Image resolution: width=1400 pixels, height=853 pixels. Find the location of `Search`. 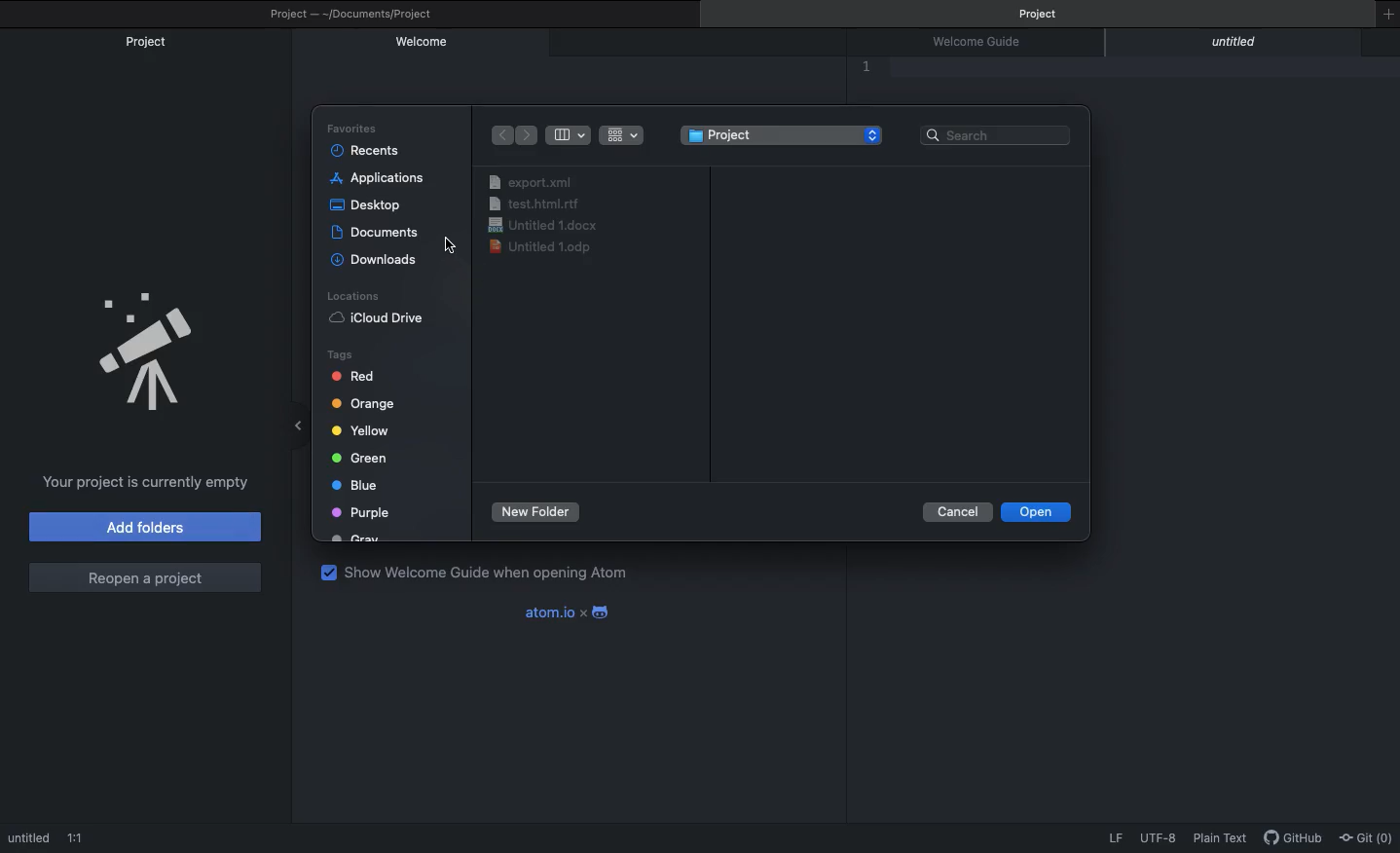

Search is located at coordinates (1000, 133).